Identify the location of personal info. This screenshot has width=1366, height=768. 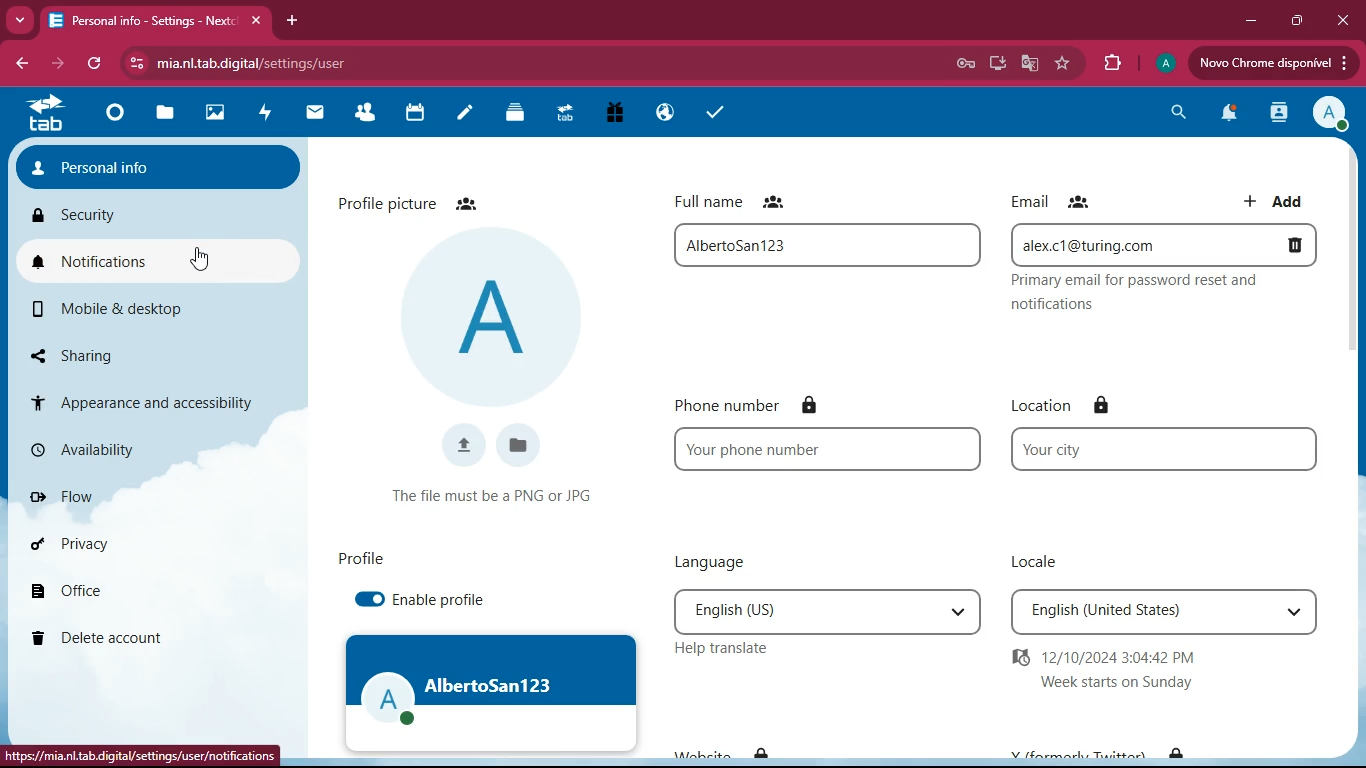
(152, 166).